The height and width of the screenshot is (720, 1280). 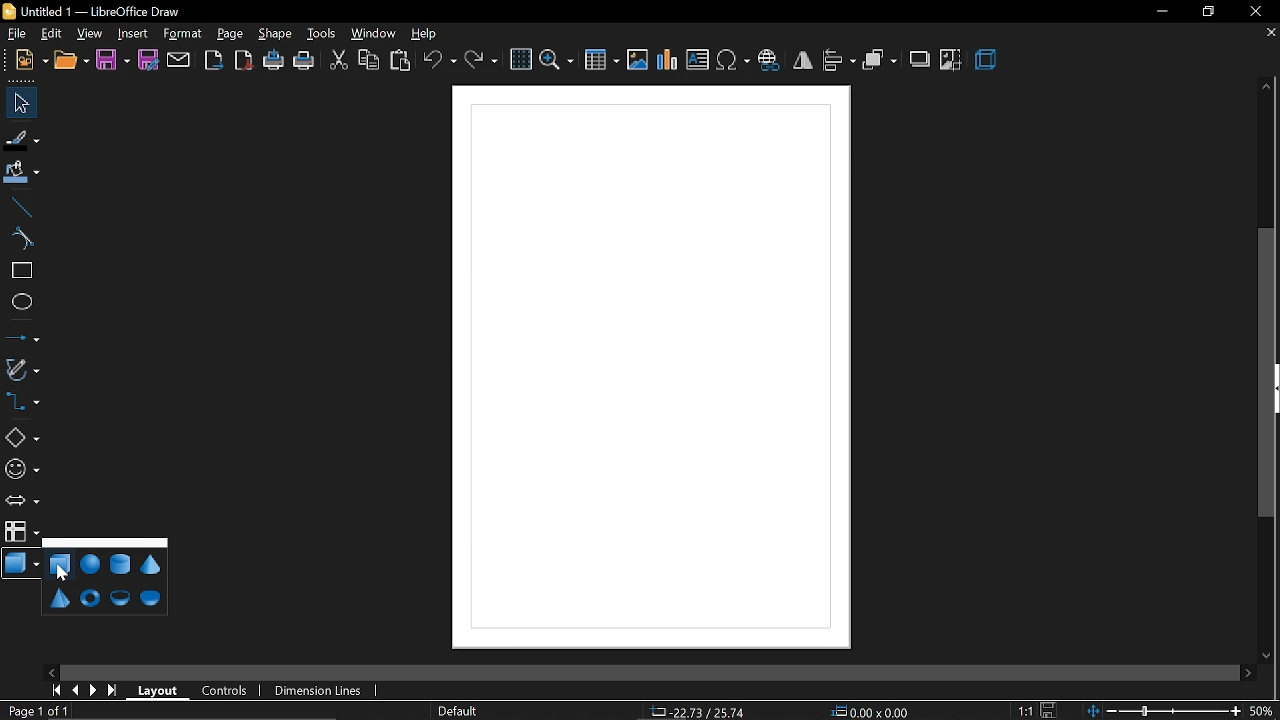 What do you see at coordinates (112, 691) in the screenshot?
I see `go to last page` at bounding box center [112, 691].